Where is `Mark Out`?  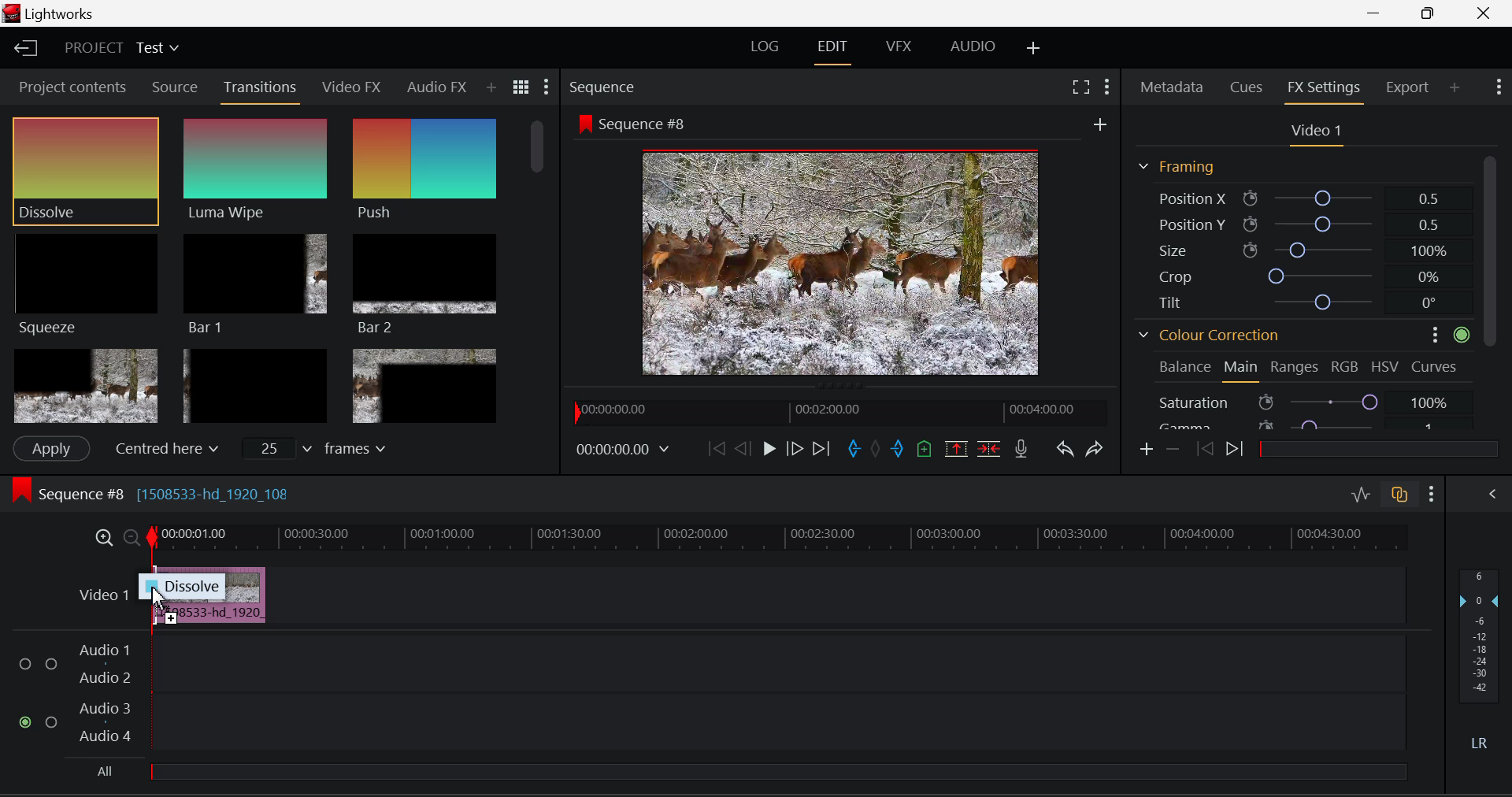
Mark Out is located at coordinates (898, 449).